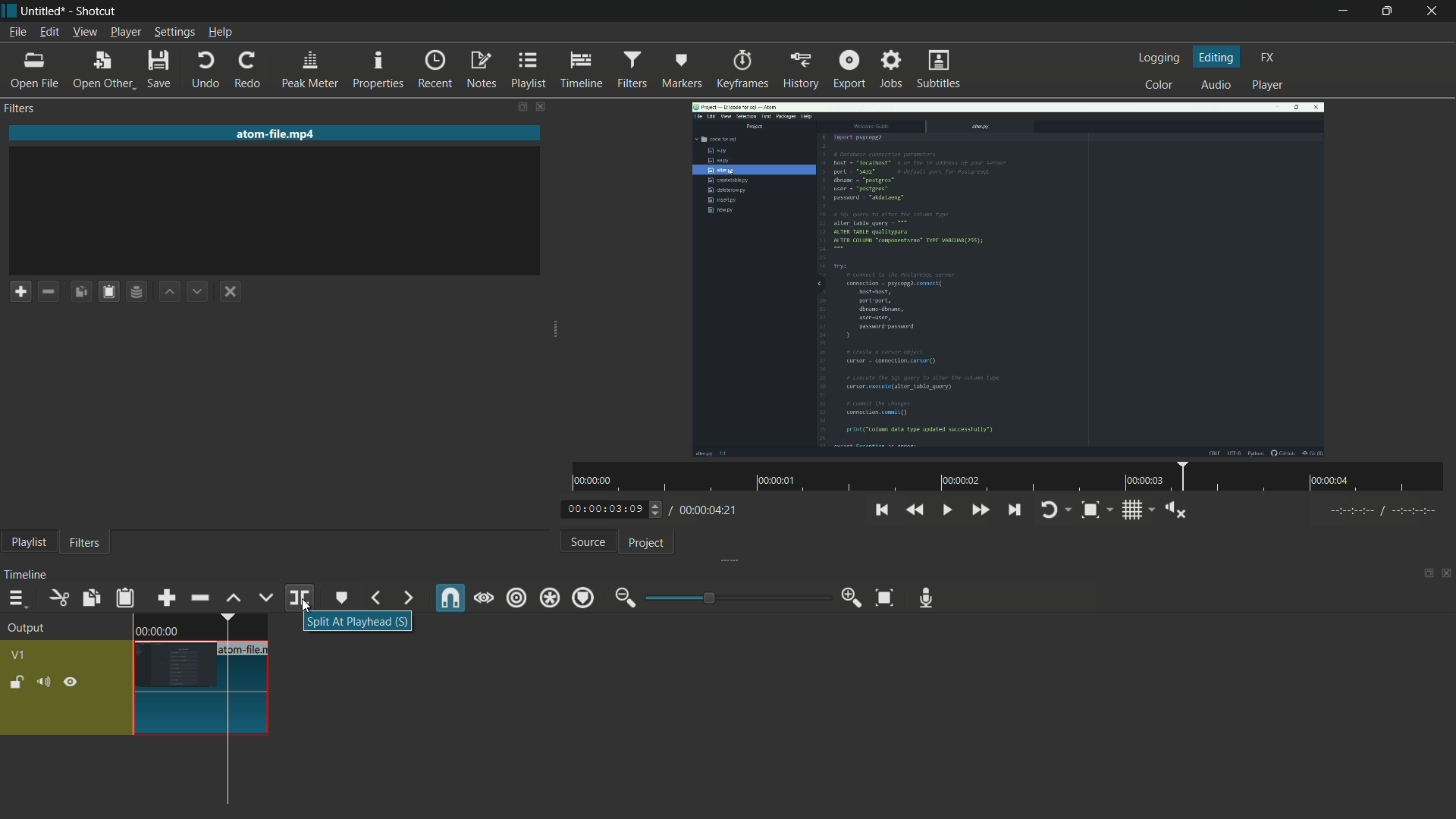  Describe the element at coordinates (378, 69) in the screenshot. I see `properties` at that location.